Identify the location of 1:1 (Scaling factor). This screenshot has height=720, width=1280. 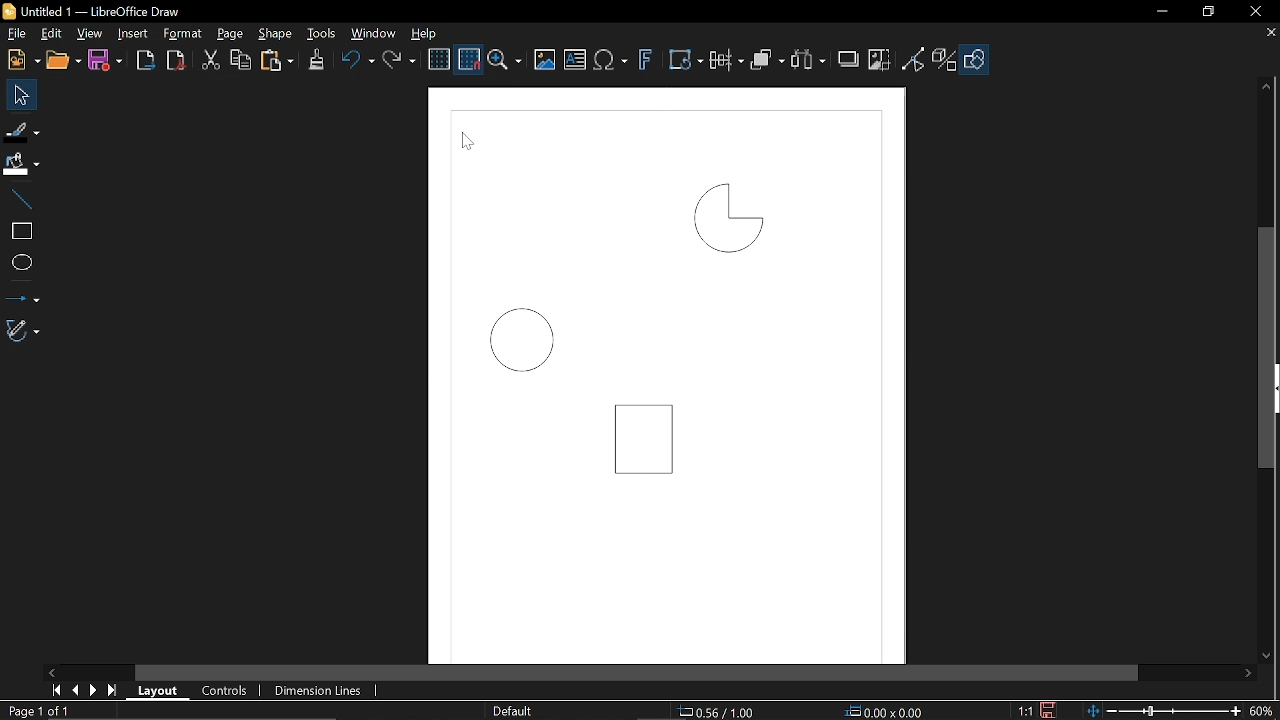
(1024, 709).